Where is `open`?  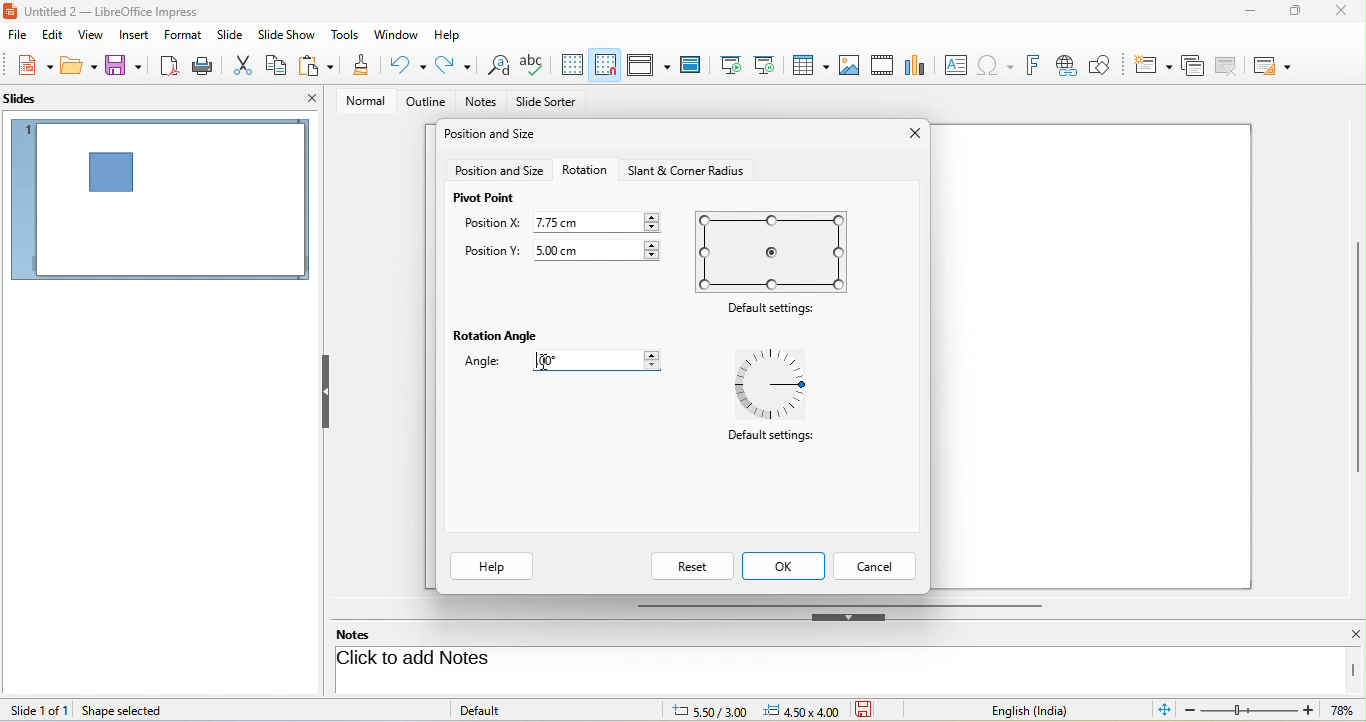
open is located at coordinates (79, 68).